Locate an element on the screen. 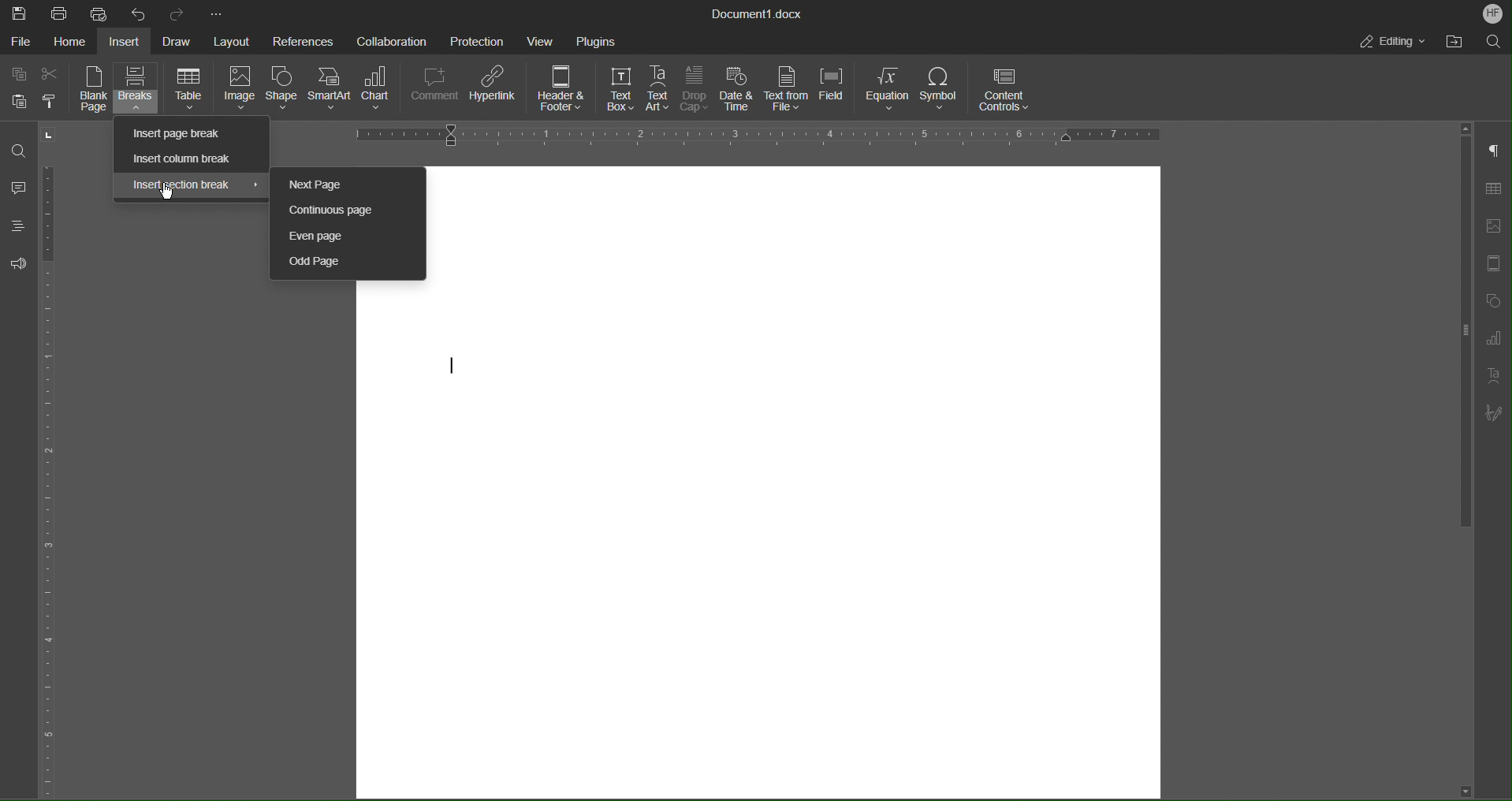 The height and width of the screenshot is (801, 1512). Continuous Page is located at coordinates (333, 210).